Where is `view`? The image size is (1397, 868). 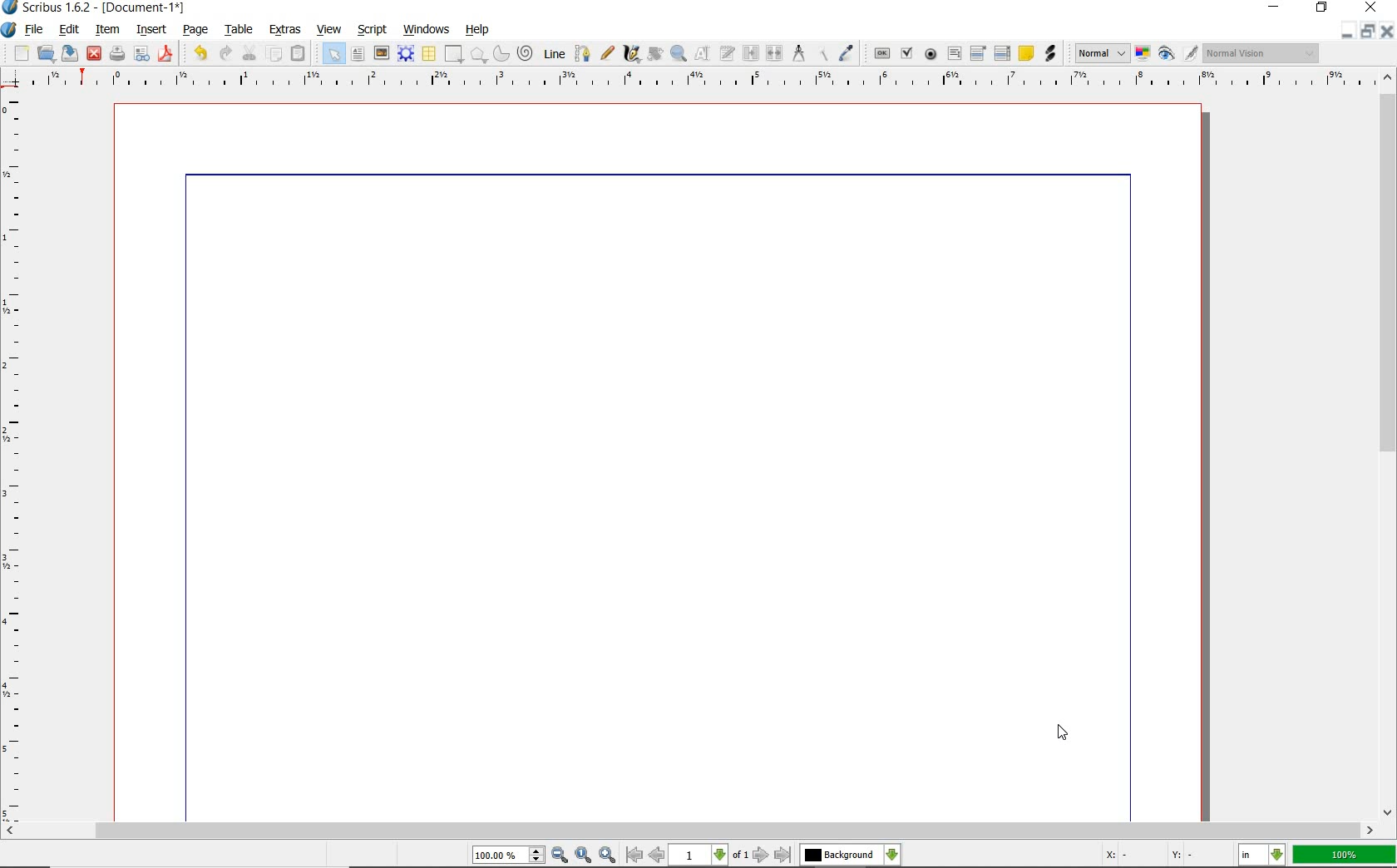
view is located at coordinates (328, 29).